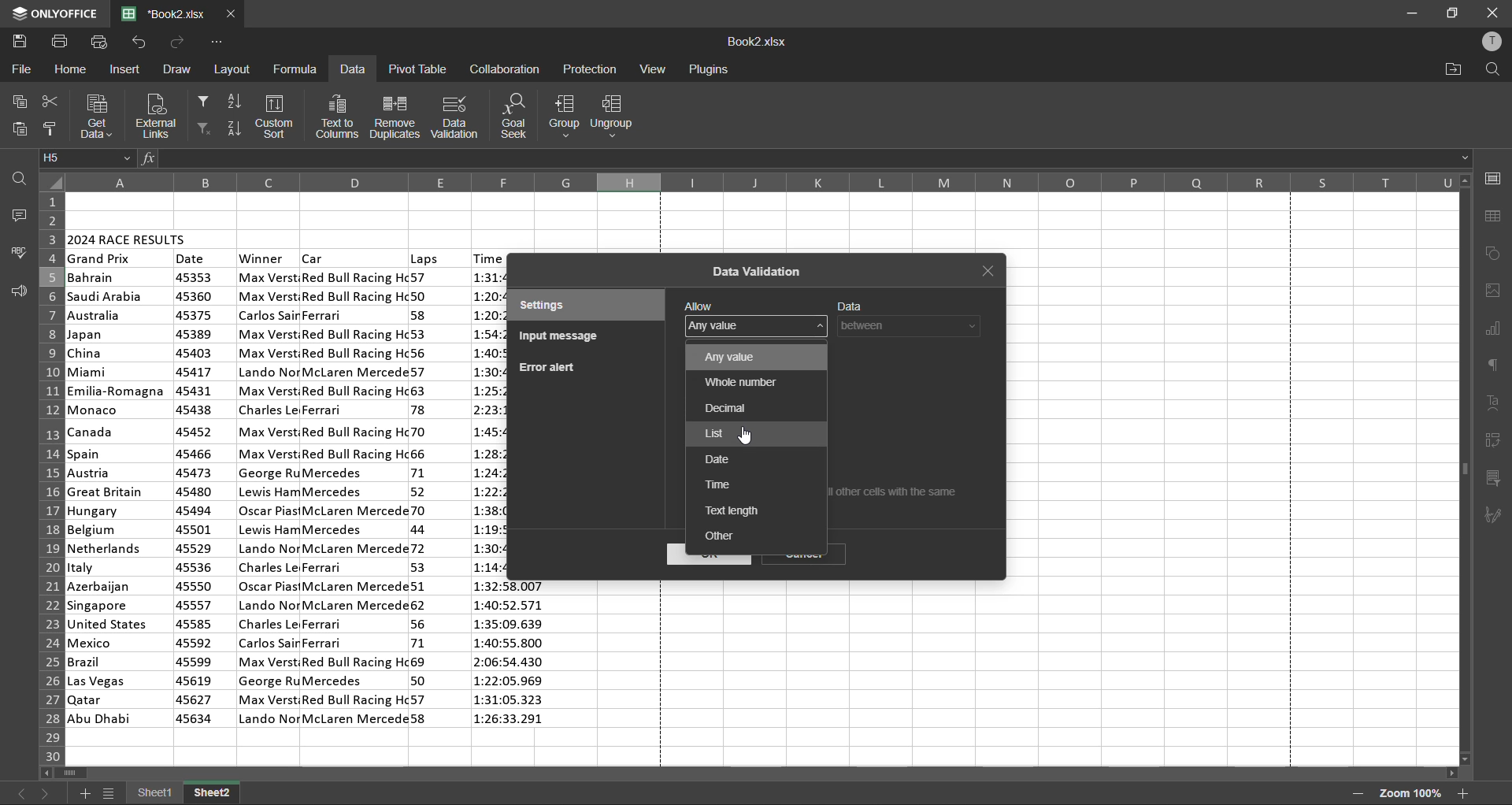 The image size is (1512, 805). Describe the element at coordinates (117, 498) in the screenshot. I see `country names` at that location.